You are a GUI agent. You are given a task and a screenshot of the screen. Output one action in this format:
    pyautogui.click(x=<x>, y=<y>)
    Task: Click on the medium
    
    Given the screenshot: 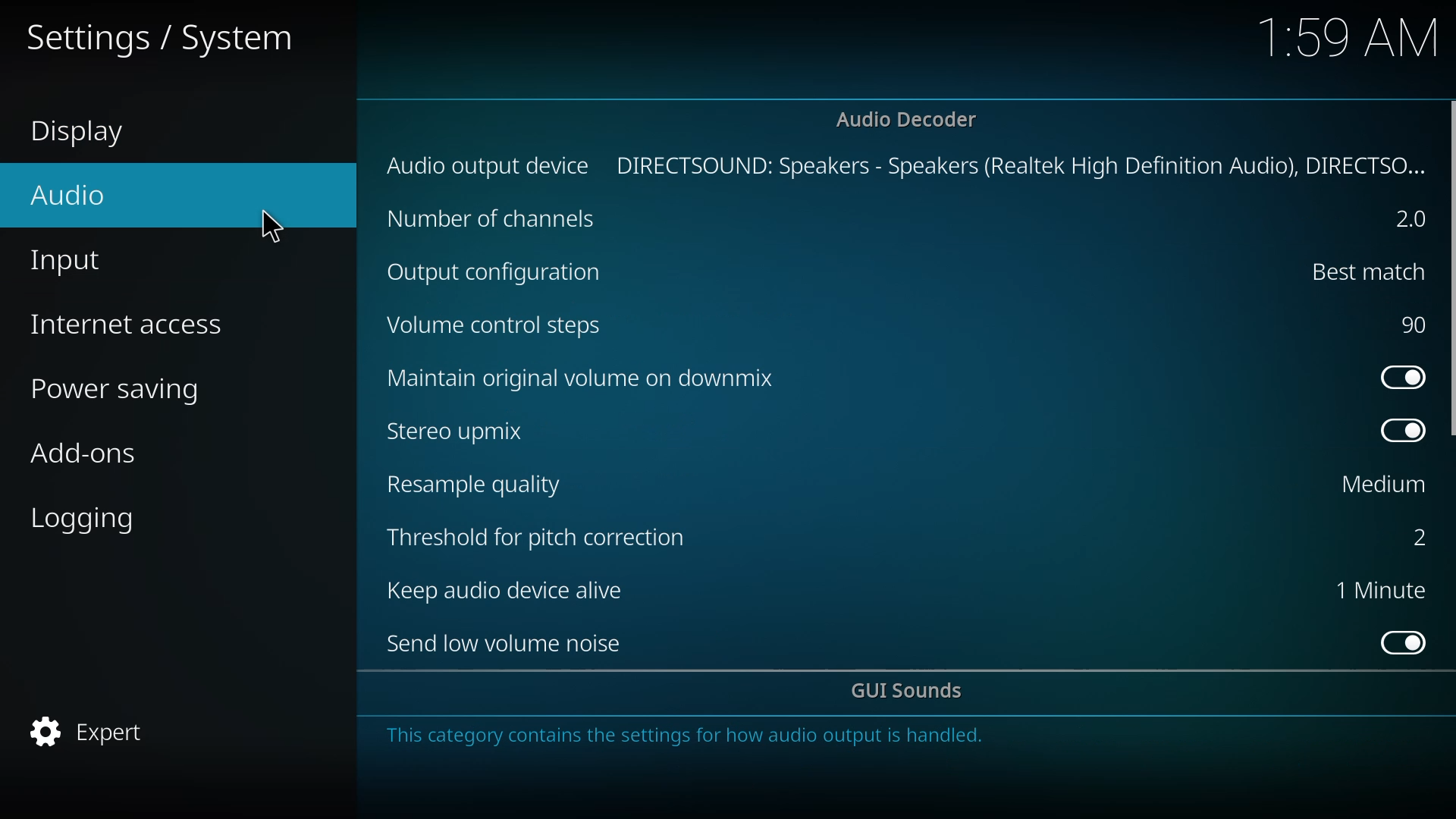 What is the action you would take?
    pyautogui.click(x=1380, y=485)
    